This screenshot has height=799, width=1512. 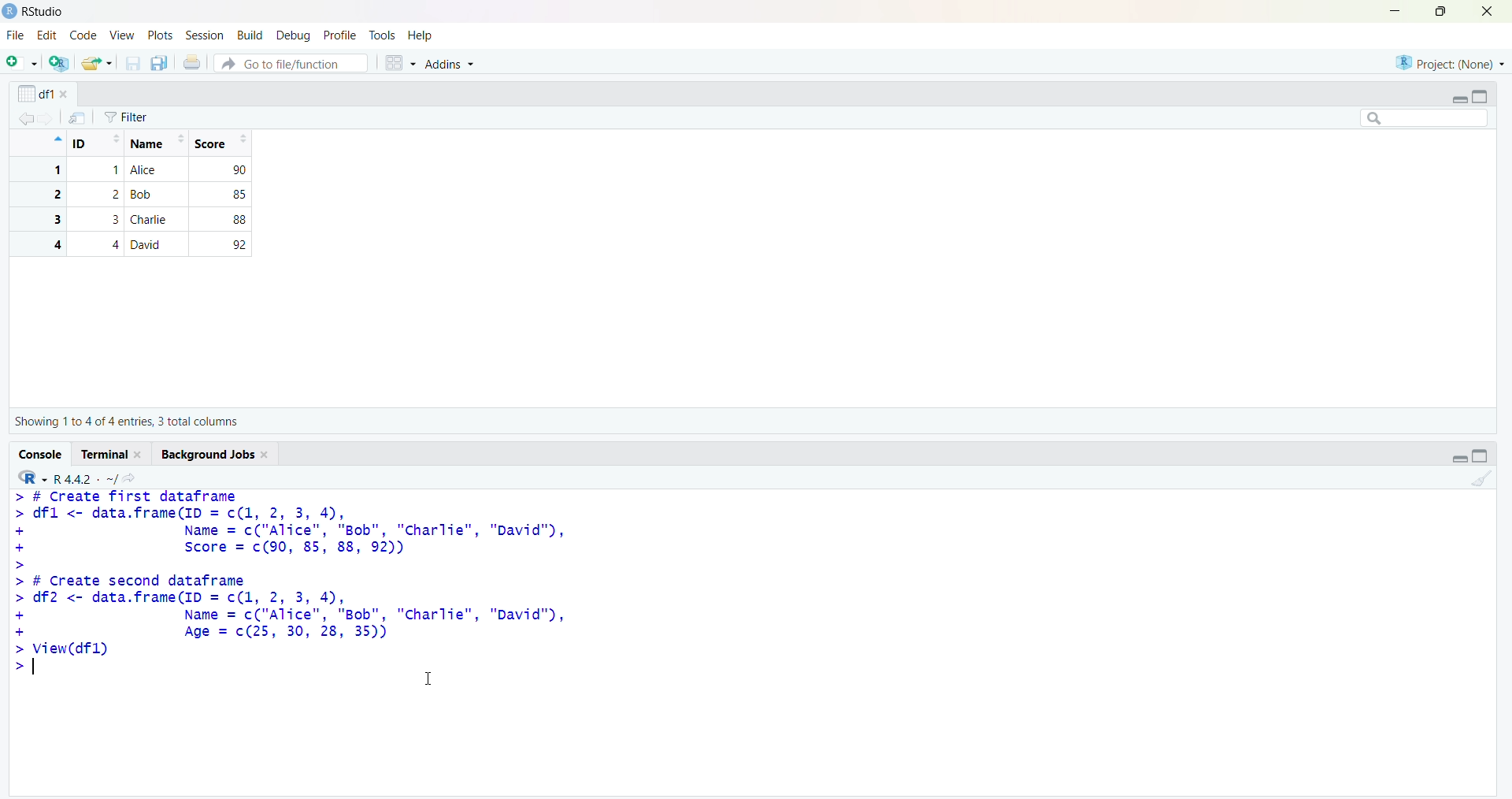 I want to click on clean, so click(x=1483, y=479).